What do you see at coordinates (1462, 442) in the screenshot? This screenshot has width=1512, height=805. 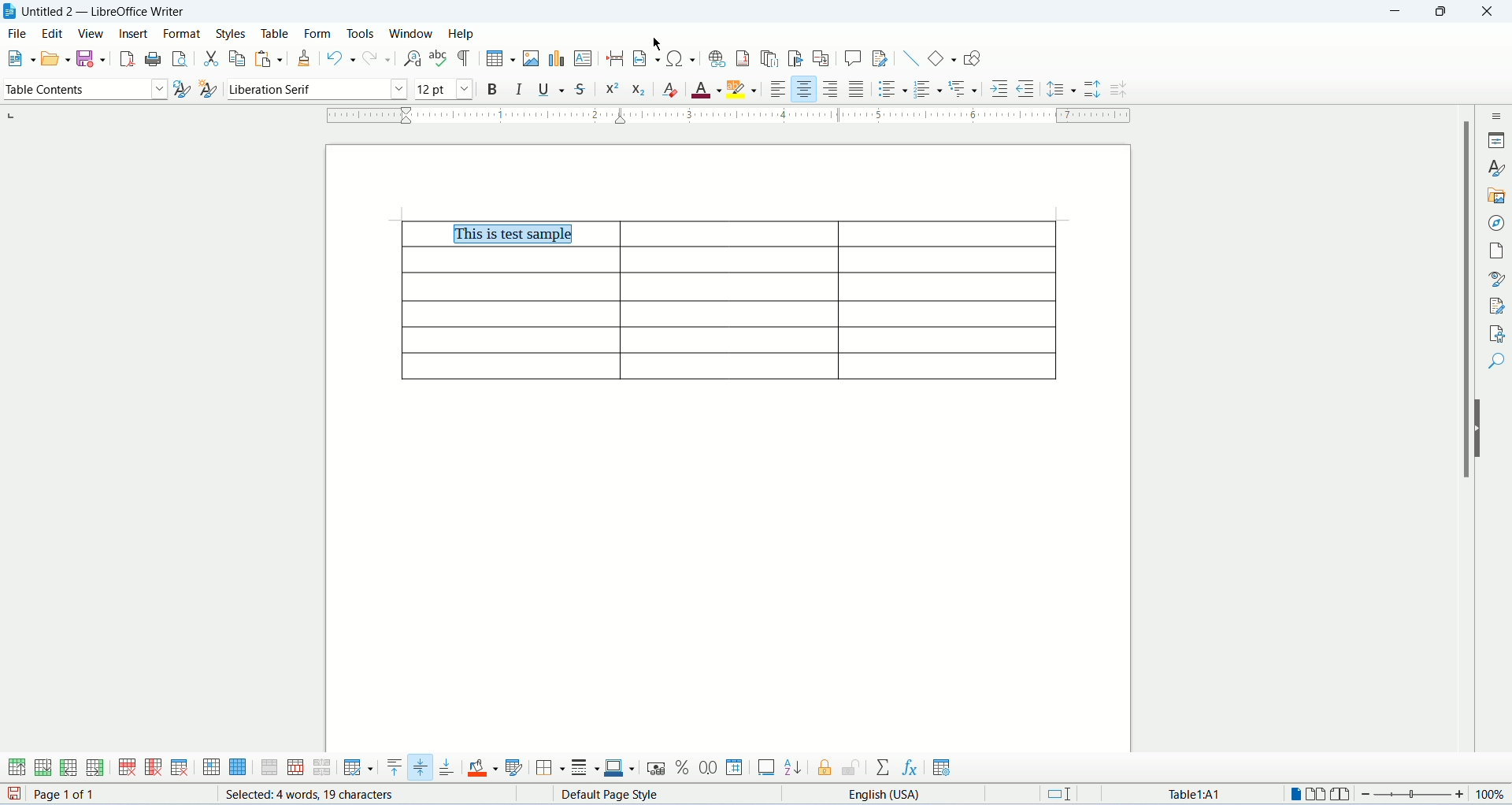 I see `scroll bar` at bounding box center [1462, 442].